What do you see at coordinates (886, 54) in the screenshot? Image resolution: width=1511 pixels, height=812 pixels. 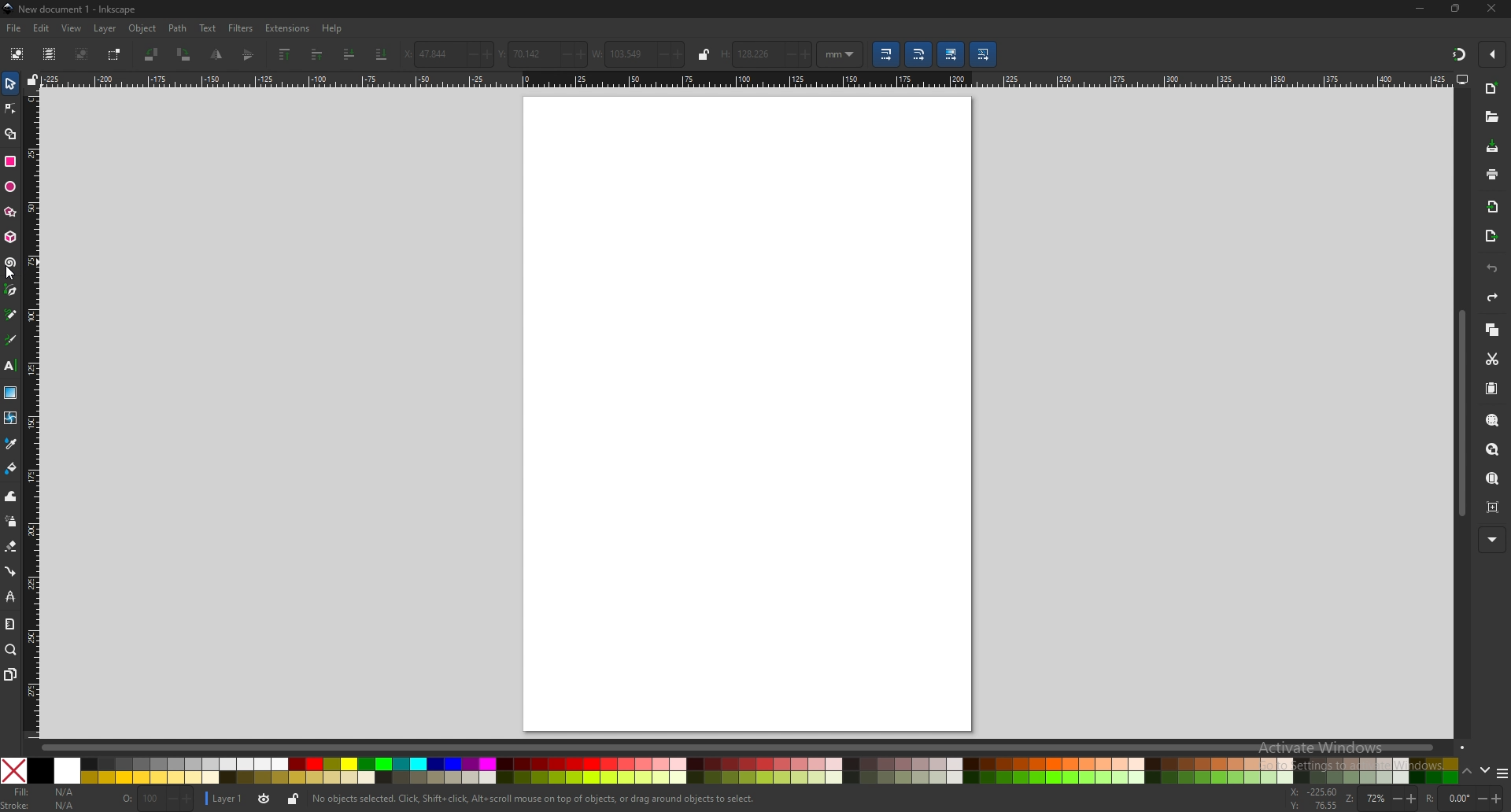 I see `scale stroke width` at bounding box center [886, 54].